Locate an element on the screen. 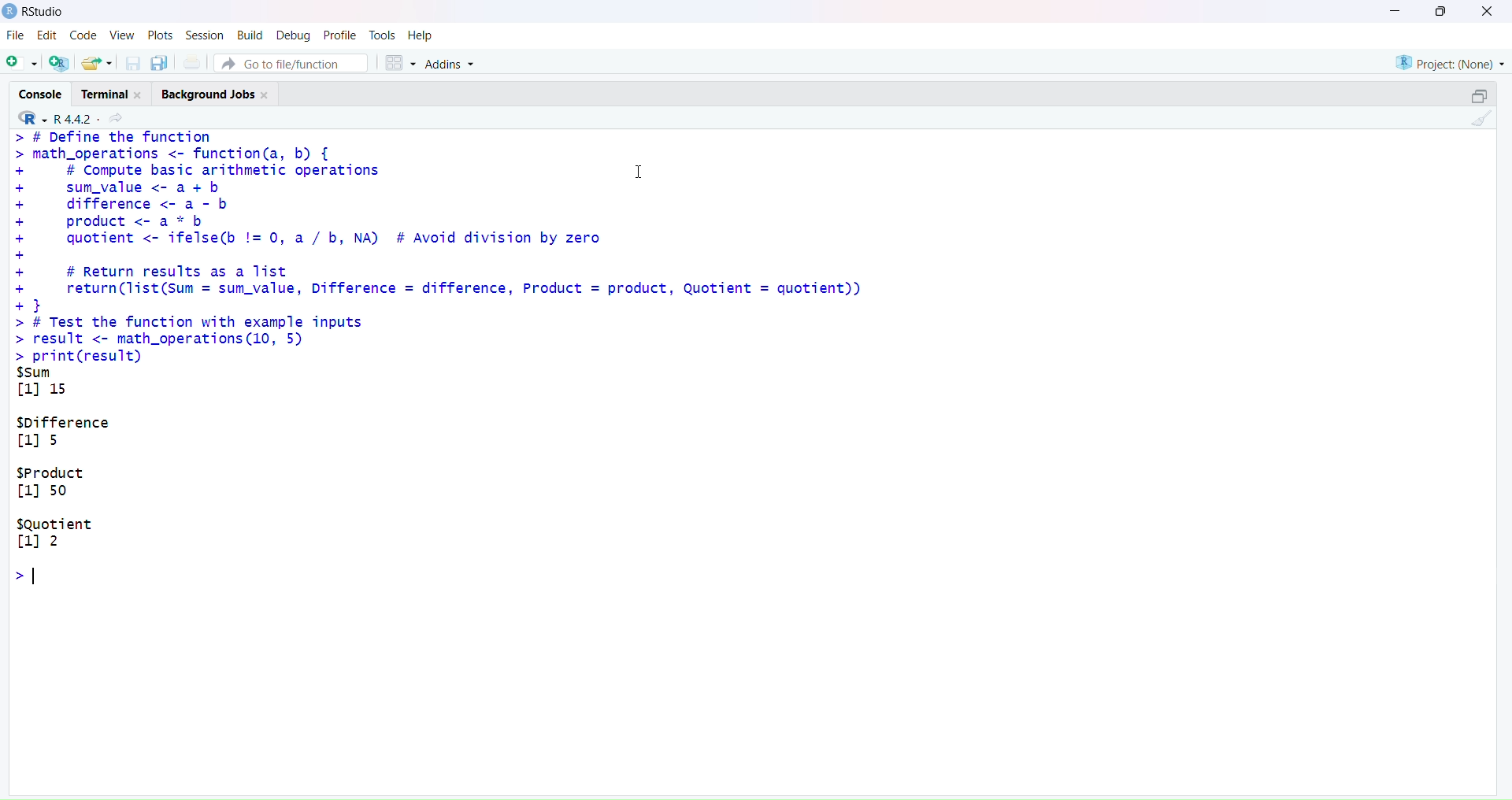 The image size is (1512, 800). Maximize is located at coordinates (1479, 93).